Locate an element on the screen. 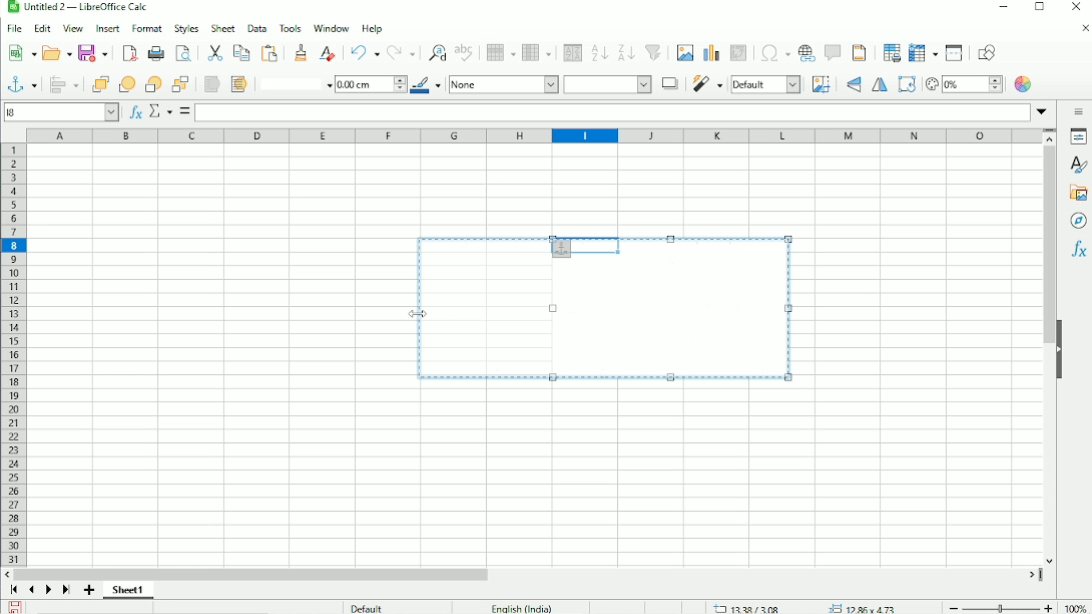 The height and width of the screenshot is (614, 1092). Minimize is located at coordinates (1001, 8).